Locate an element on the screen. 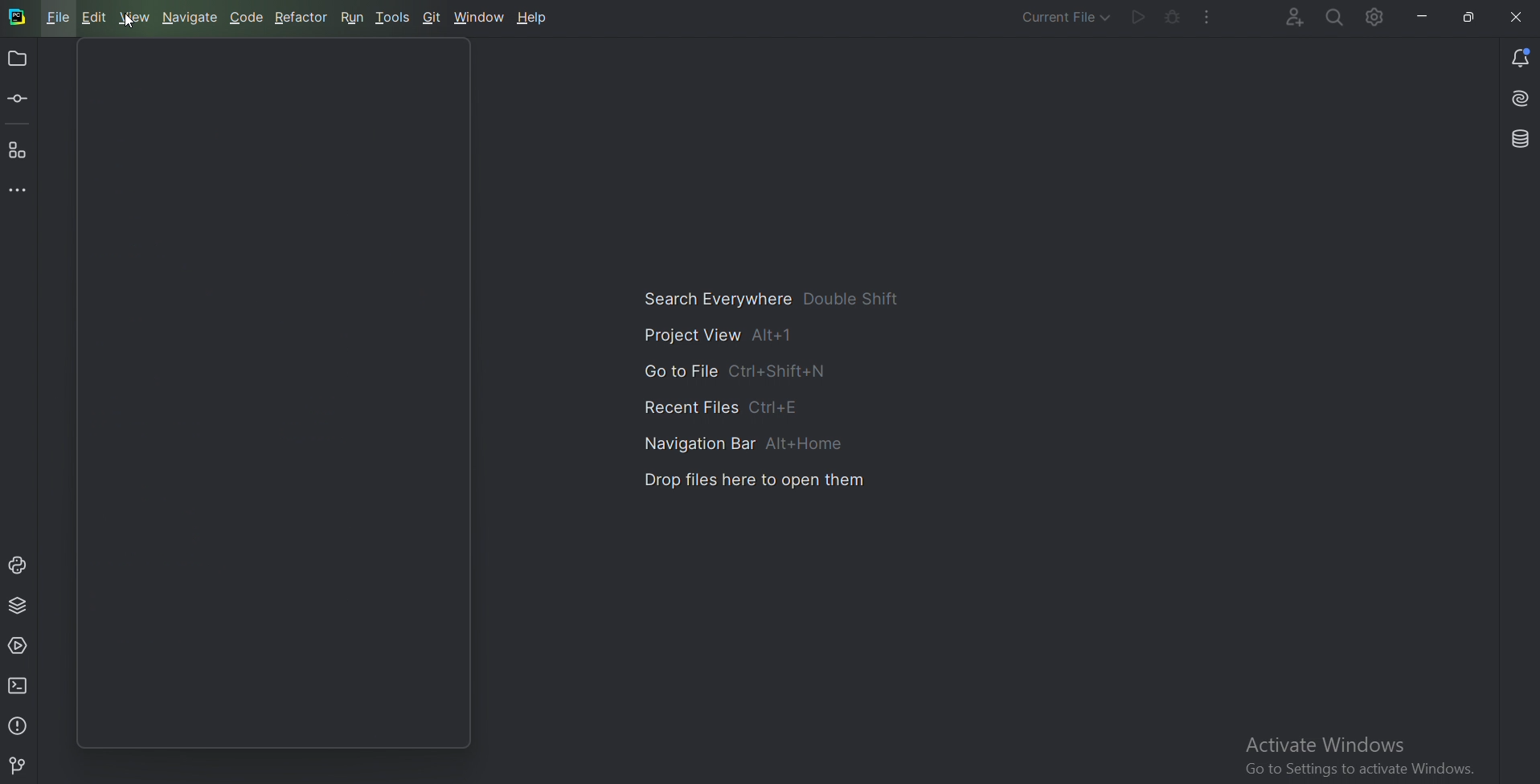 The height and width of the screenshot is (784, 1540). Structure is located at coordinates (18, 150).